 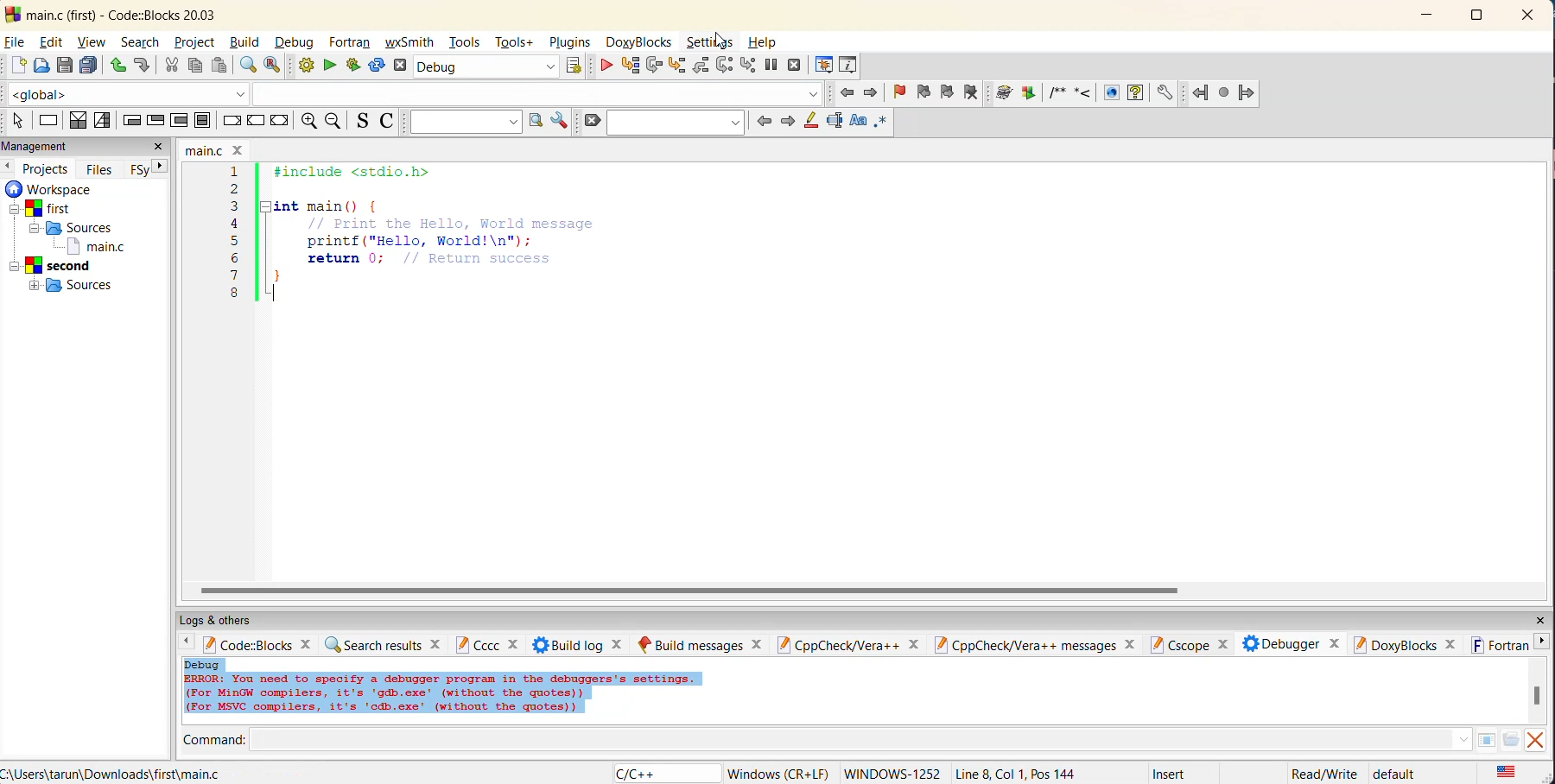 What do you see at coordinates (65, 66) in the screenshot?
I see `save` at bounding box center [65, 66].